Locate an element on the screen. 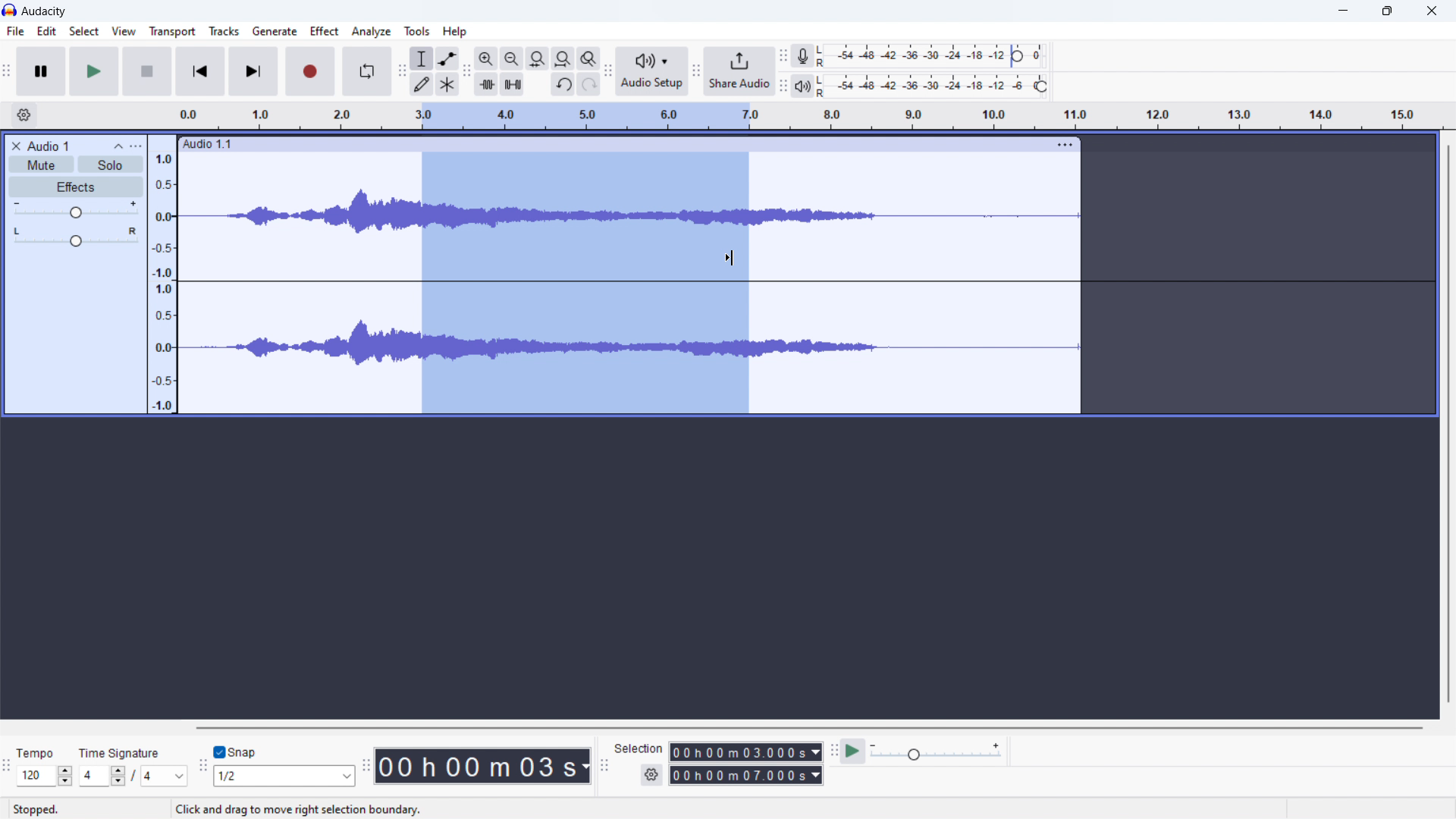 This screenshot has width=1456, height=819. audio setup toolbar is located at coordinates (608, 71).